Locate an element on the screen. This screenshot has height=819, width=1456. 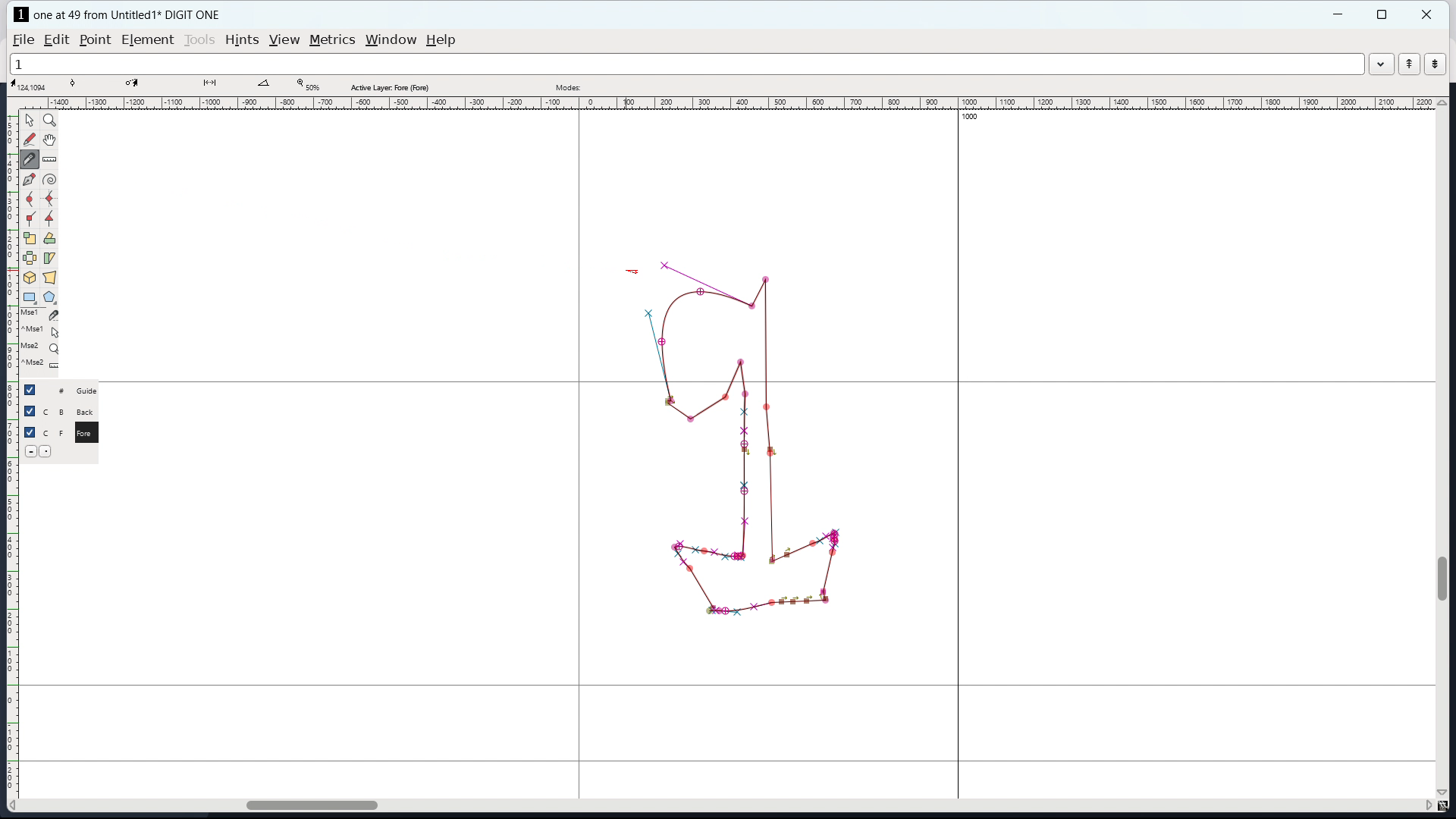
scroll right is located at coordinates (1426, 806).